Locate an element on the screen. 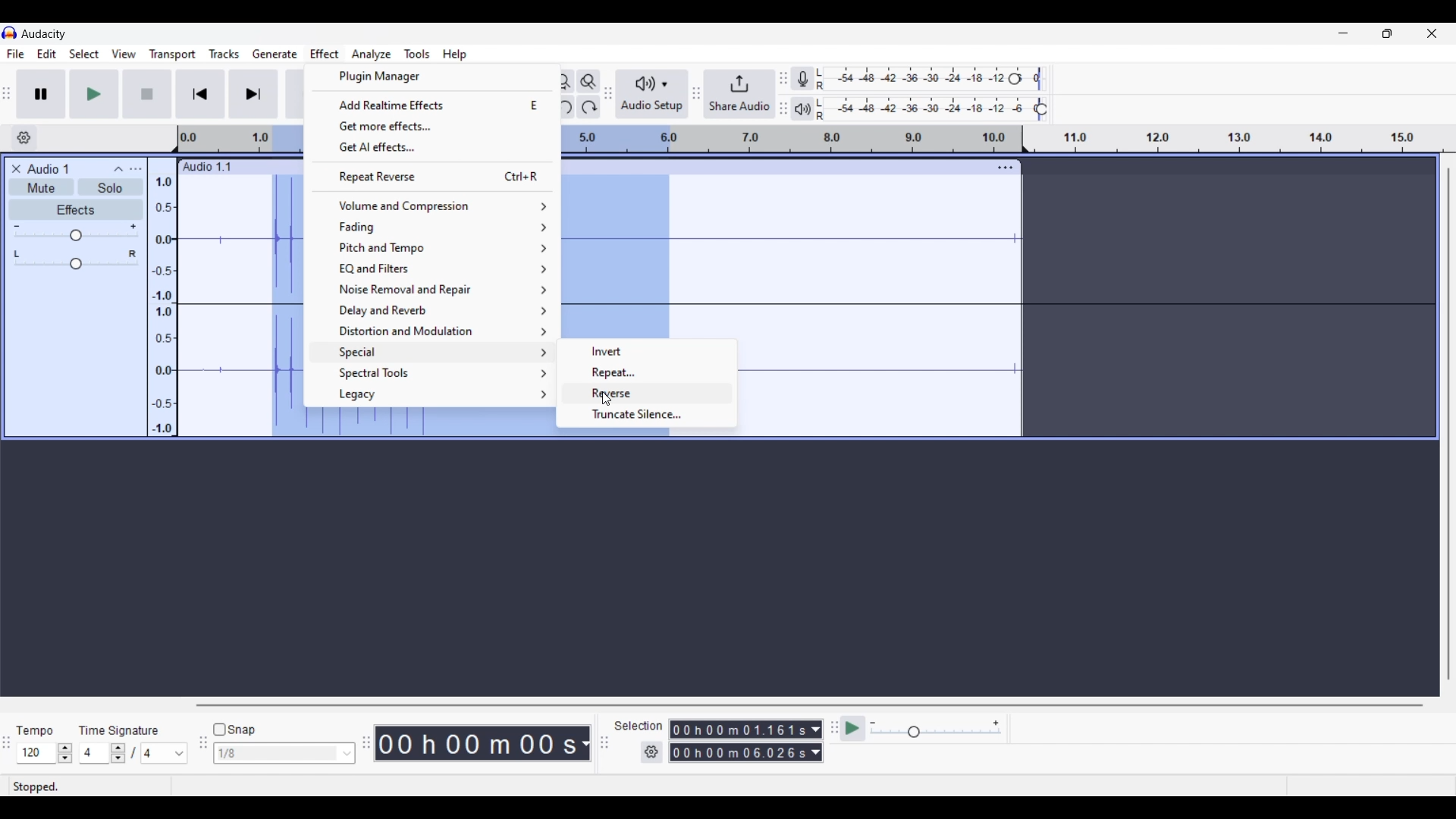  Play/Play once is located at coordinates (94, 93).